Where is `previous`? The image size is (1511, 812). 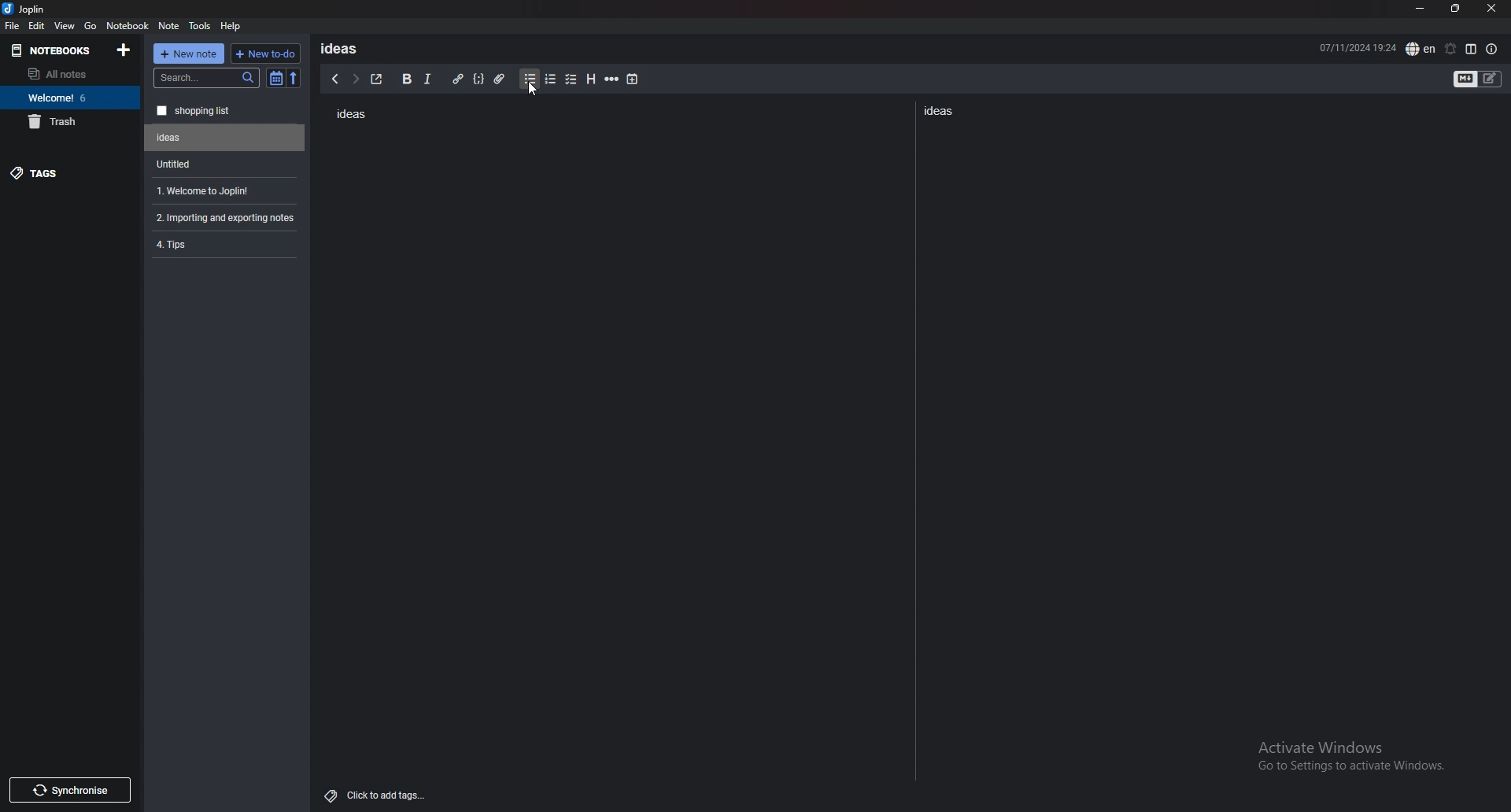 previous is located at coordinates (334, 79).